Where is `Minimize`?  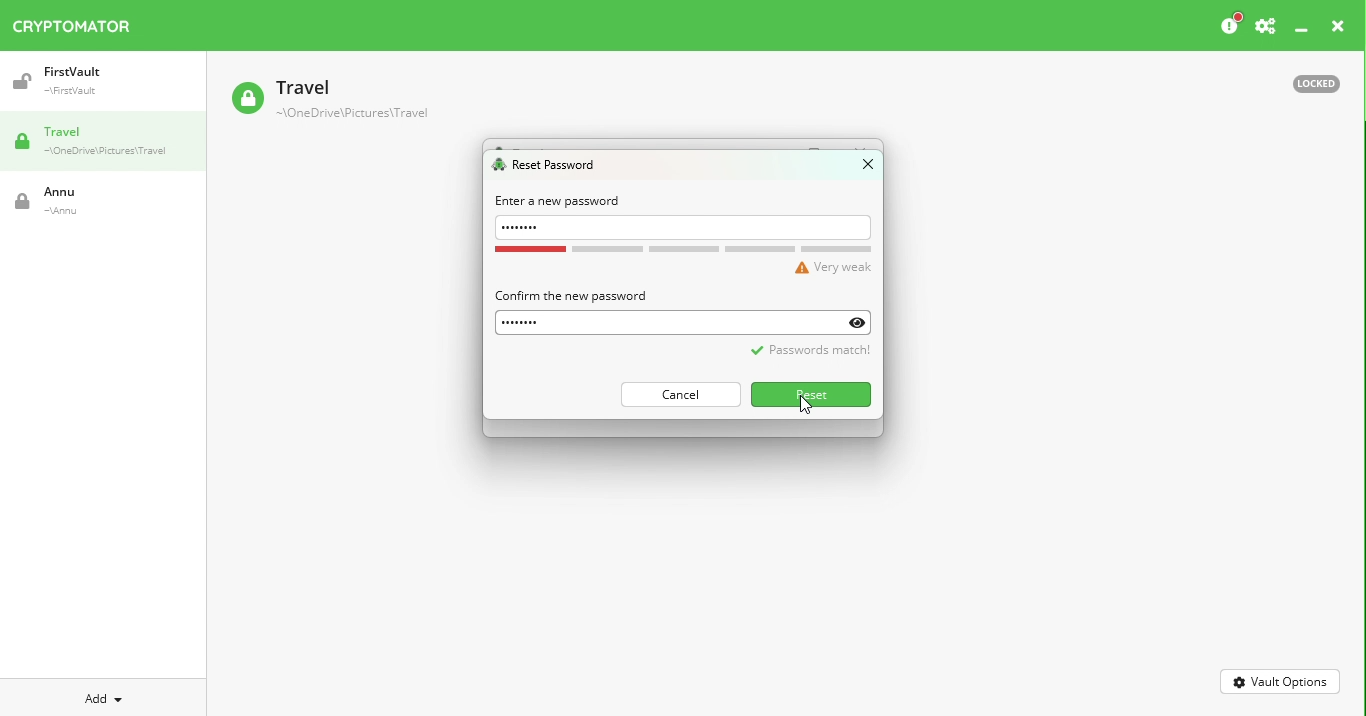 Minimize is located at coordinates (1302, 31).